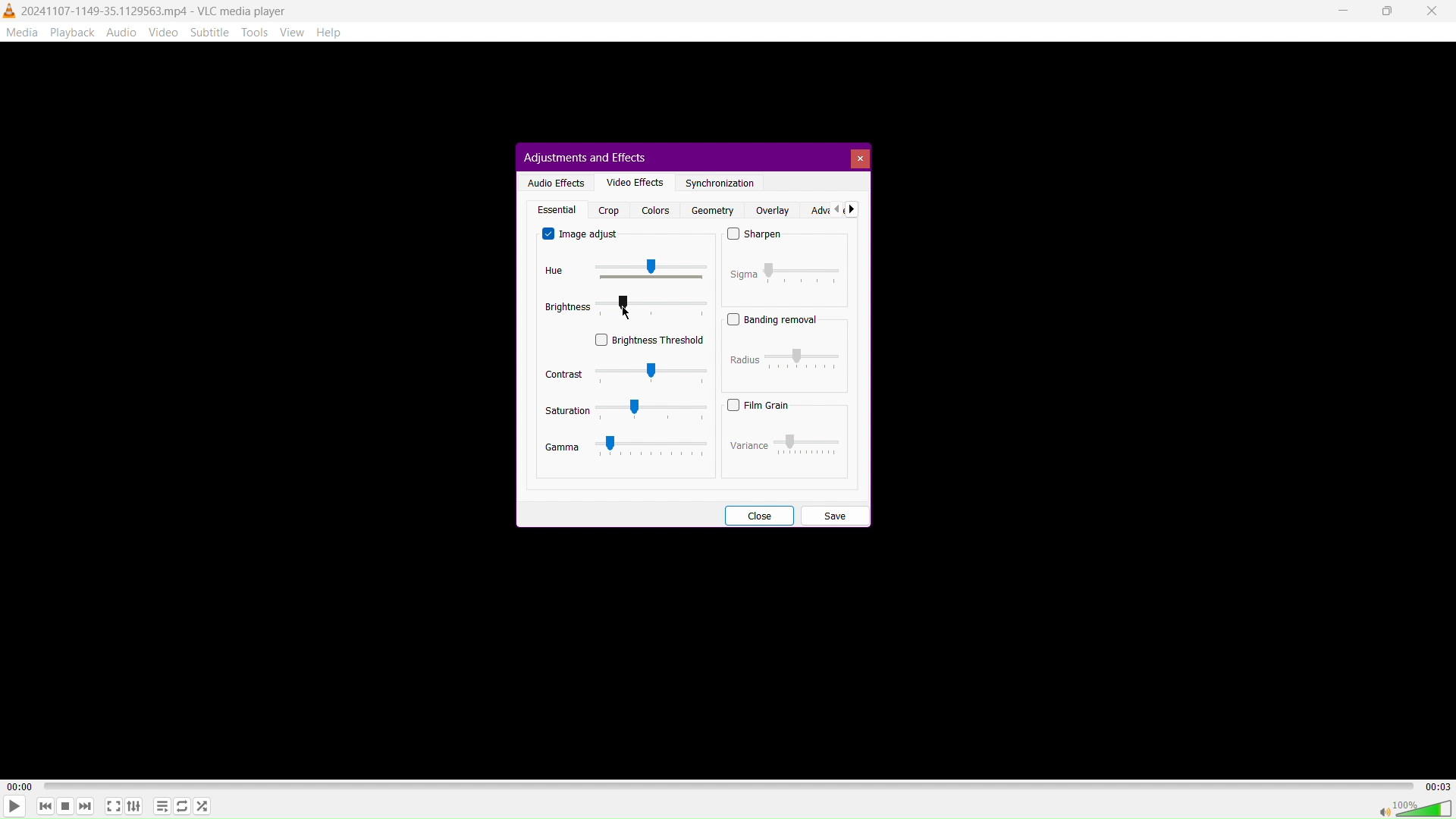  I want to click on Brightness, so click(626, 306).